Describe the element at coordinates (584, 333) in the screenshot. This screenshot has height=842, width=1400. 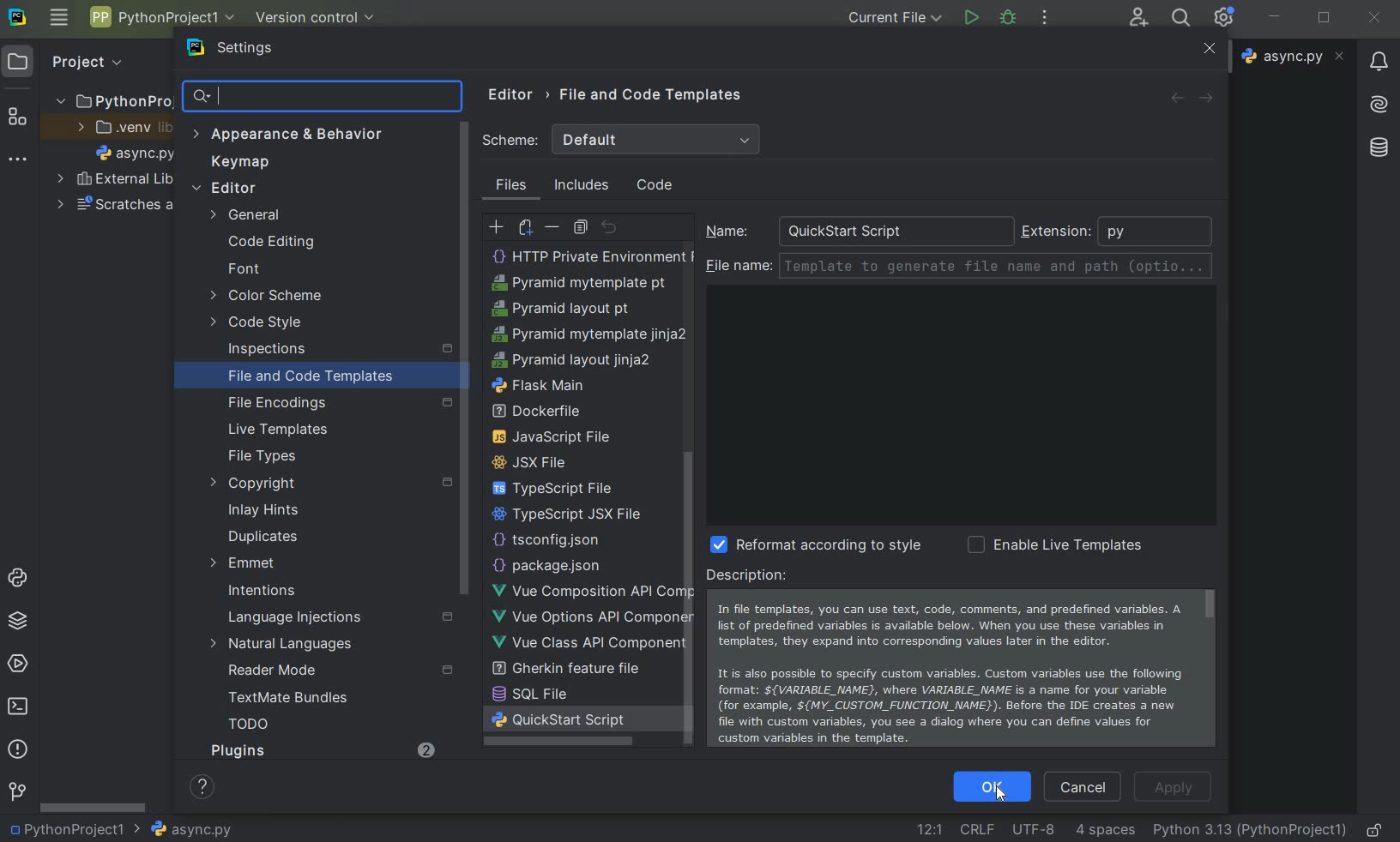
I see `PostCSS file` at that location.